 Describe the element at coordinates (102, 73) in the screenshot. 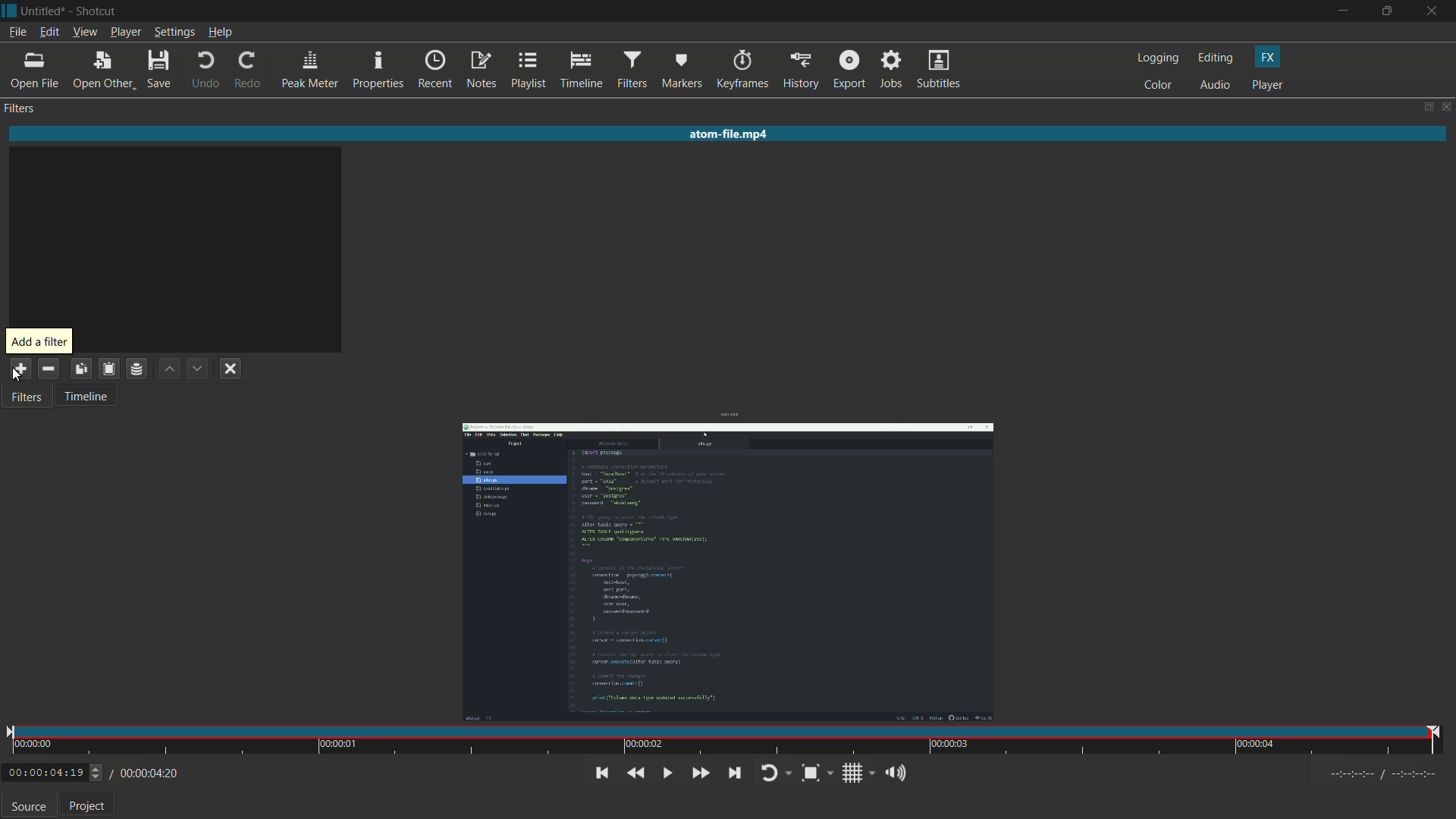

I see `open other` at that location.